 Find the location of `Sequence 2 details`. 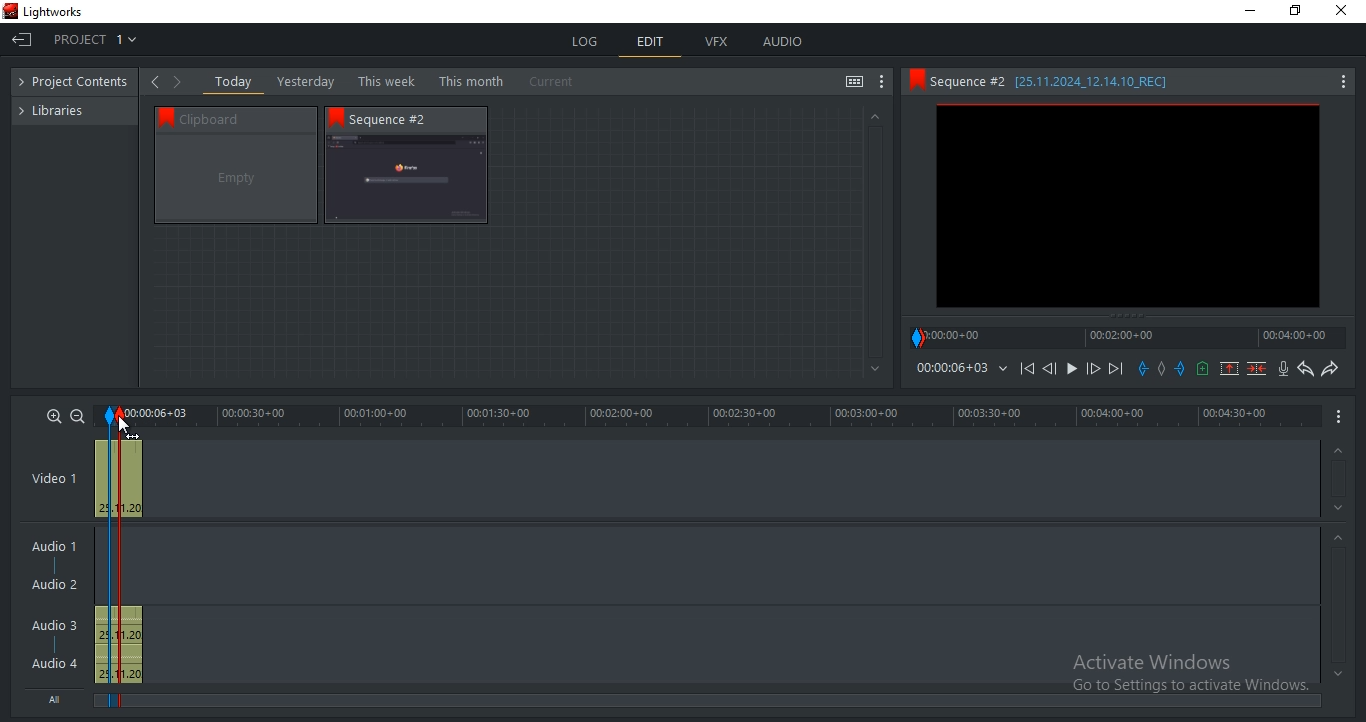

Sequence 2 details is located at coordinates (1068, 81).